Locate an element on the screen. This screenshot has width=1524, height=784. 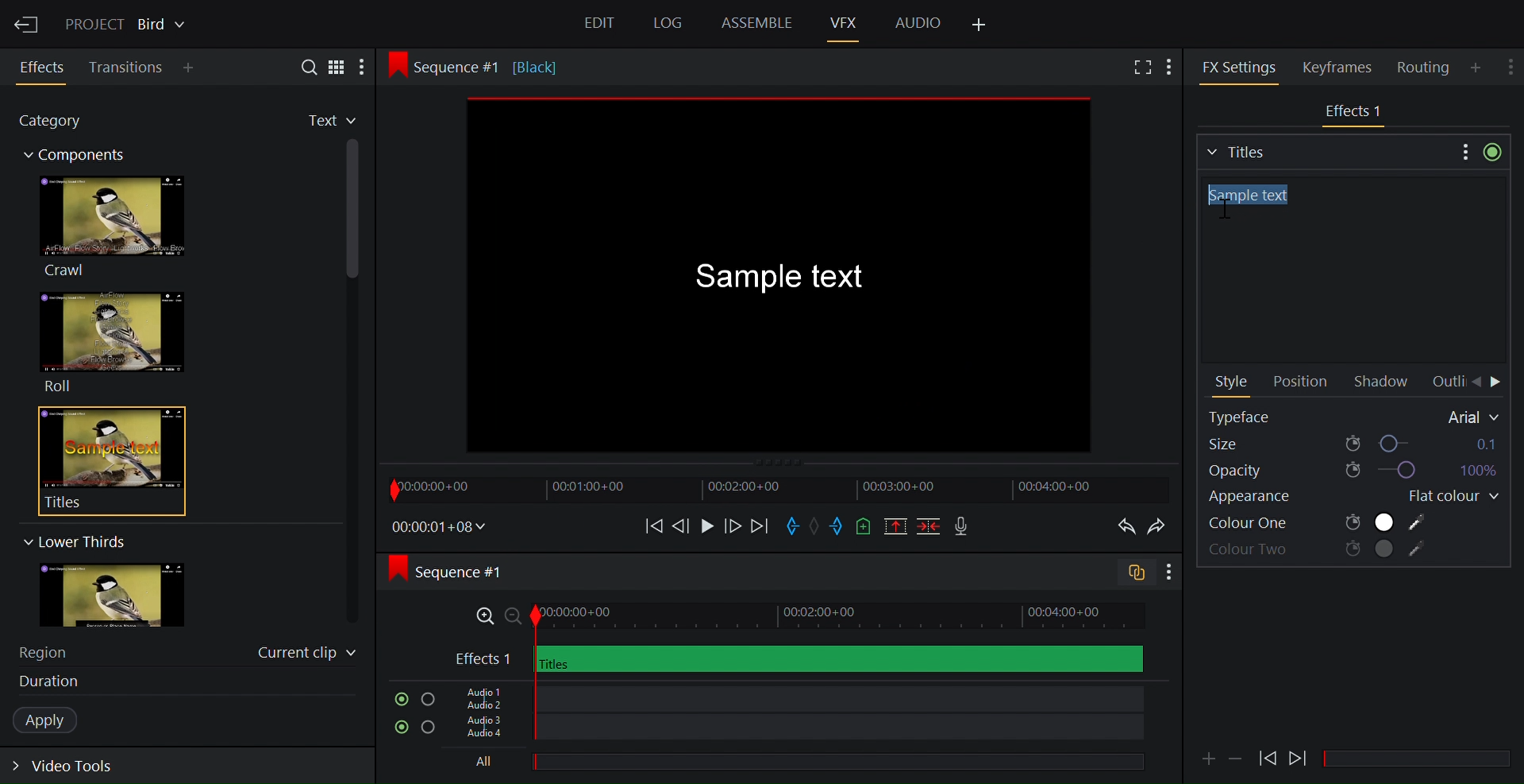
Show settings menu is located at coordinates (1168, 573).